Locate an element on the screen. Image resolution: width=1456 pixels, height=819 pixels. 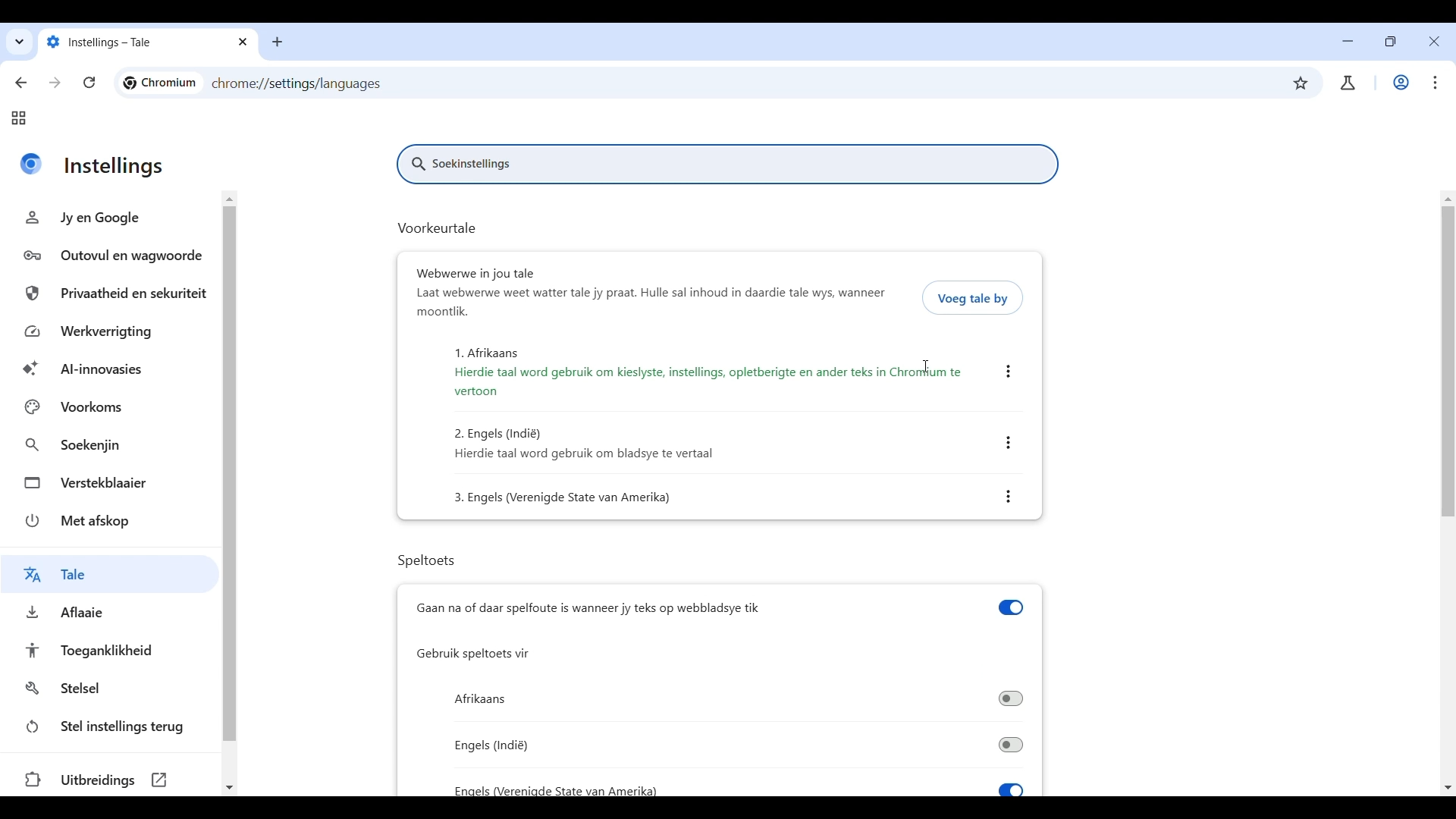
Verstekblaaier is located at coordinates (104, 484).